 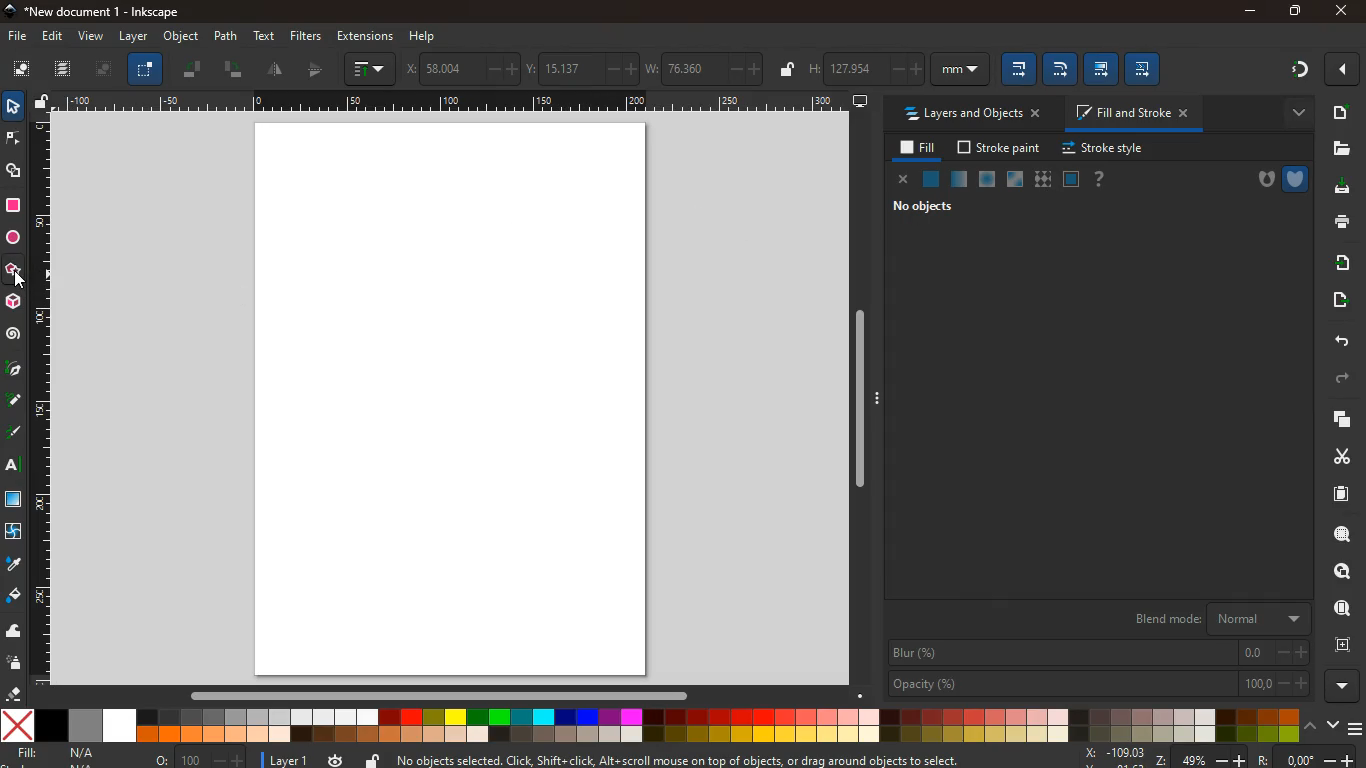 What do you see at coordinates (1214, 758) in the screenshot?
I see `zoom` at bounding box center [1214, 758].